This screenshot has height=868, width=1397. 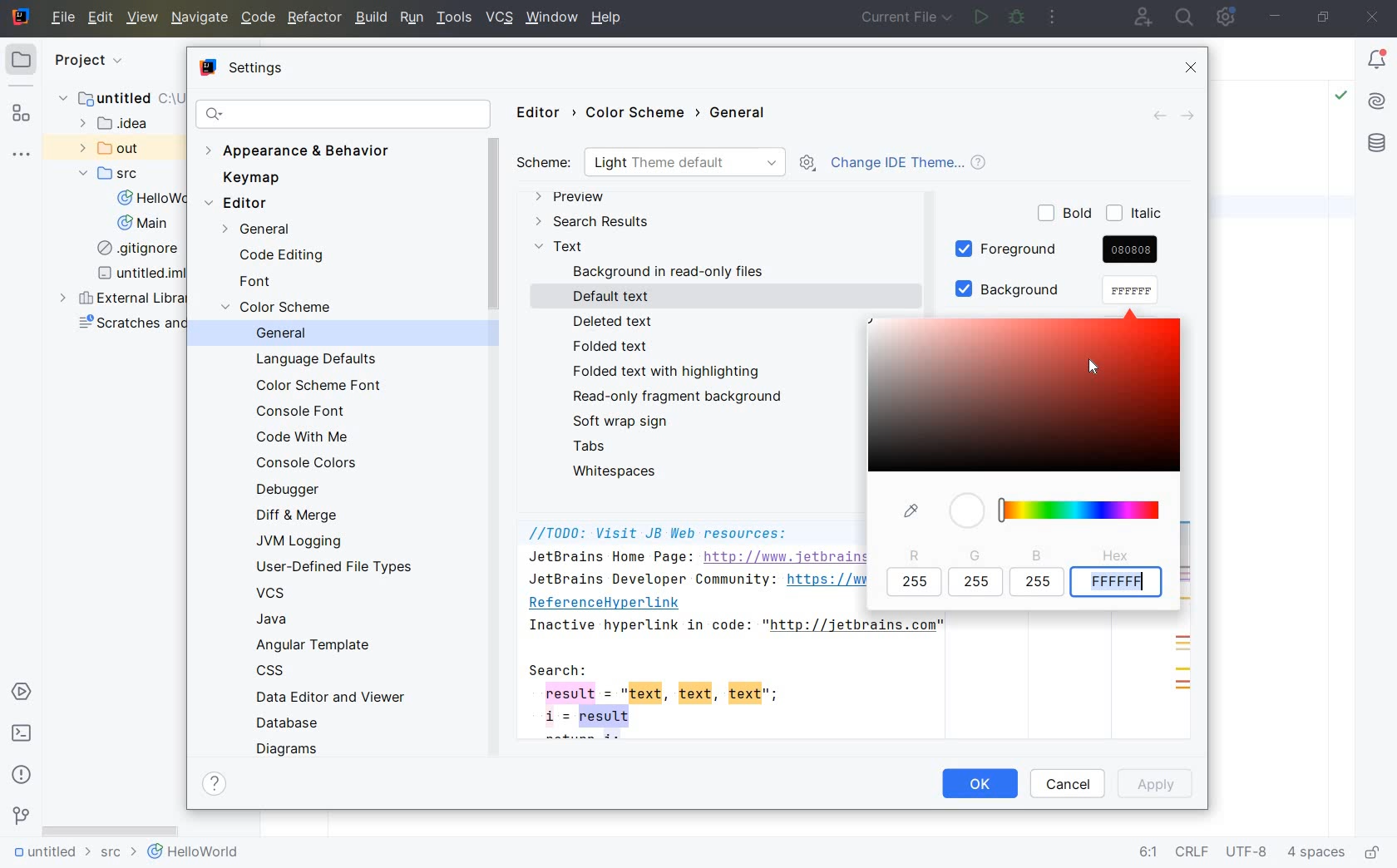 What do you see at coordinates (126, 125) in the screenshot?
I see `idea` at bounding box center [126, 125].